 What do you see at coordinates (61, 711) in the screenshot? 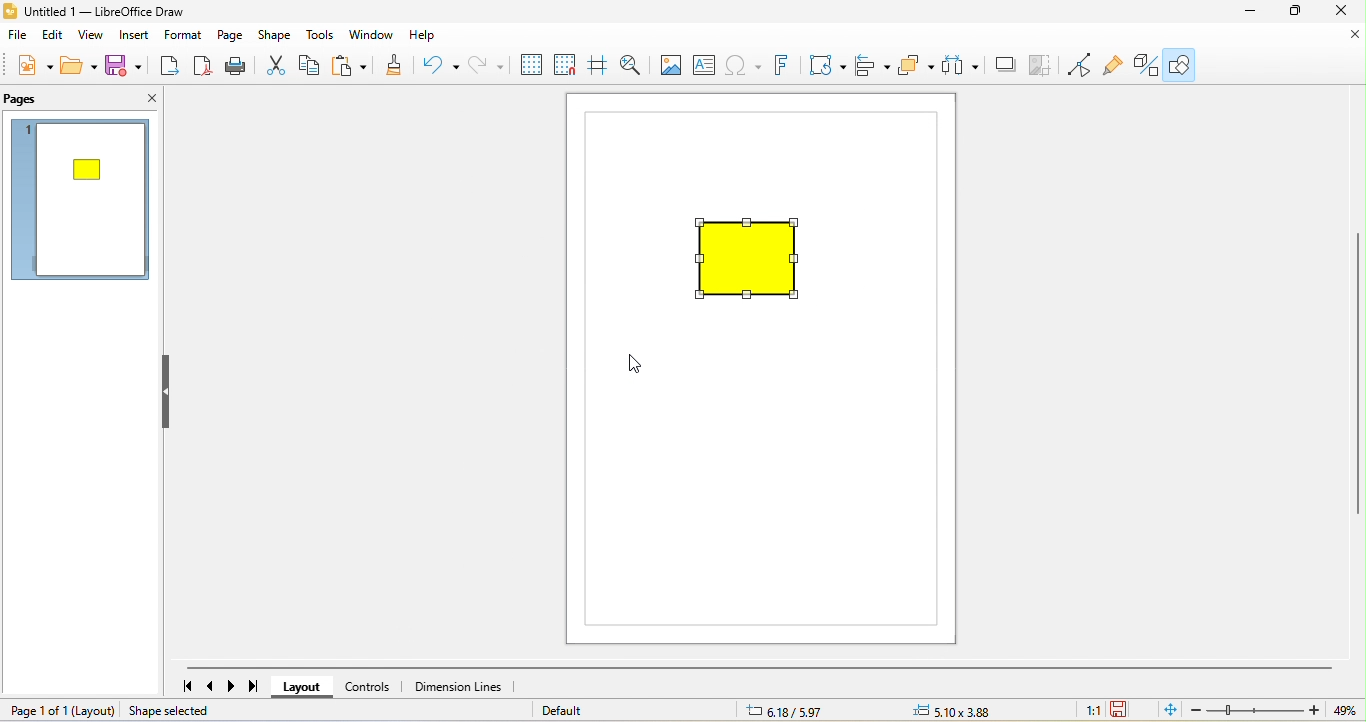
I see `page 1 of 1` at bounding box center [61, 711].